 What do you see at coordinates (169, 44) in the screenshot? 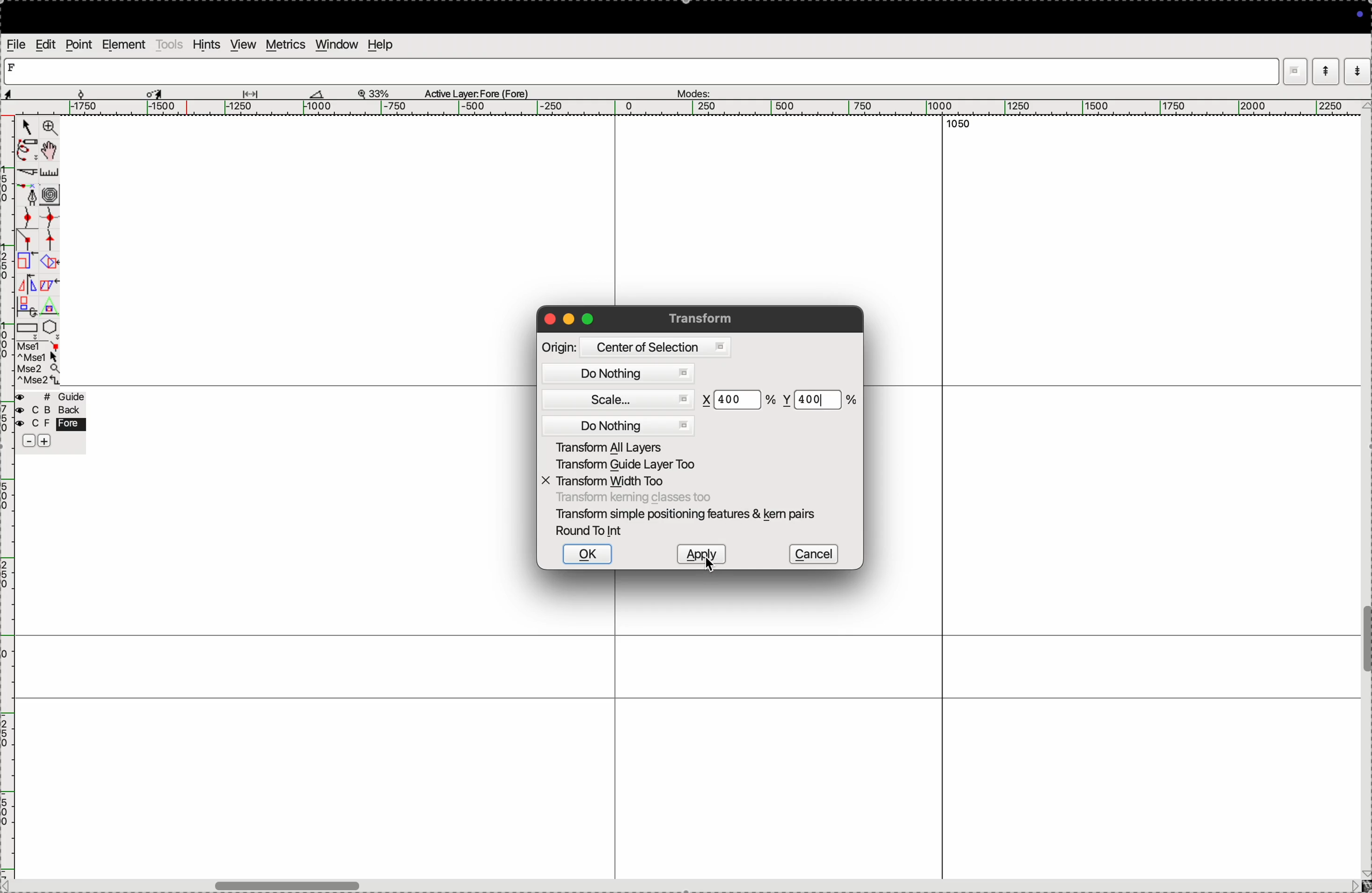
I see `tools` at bounding box center [169, 44].